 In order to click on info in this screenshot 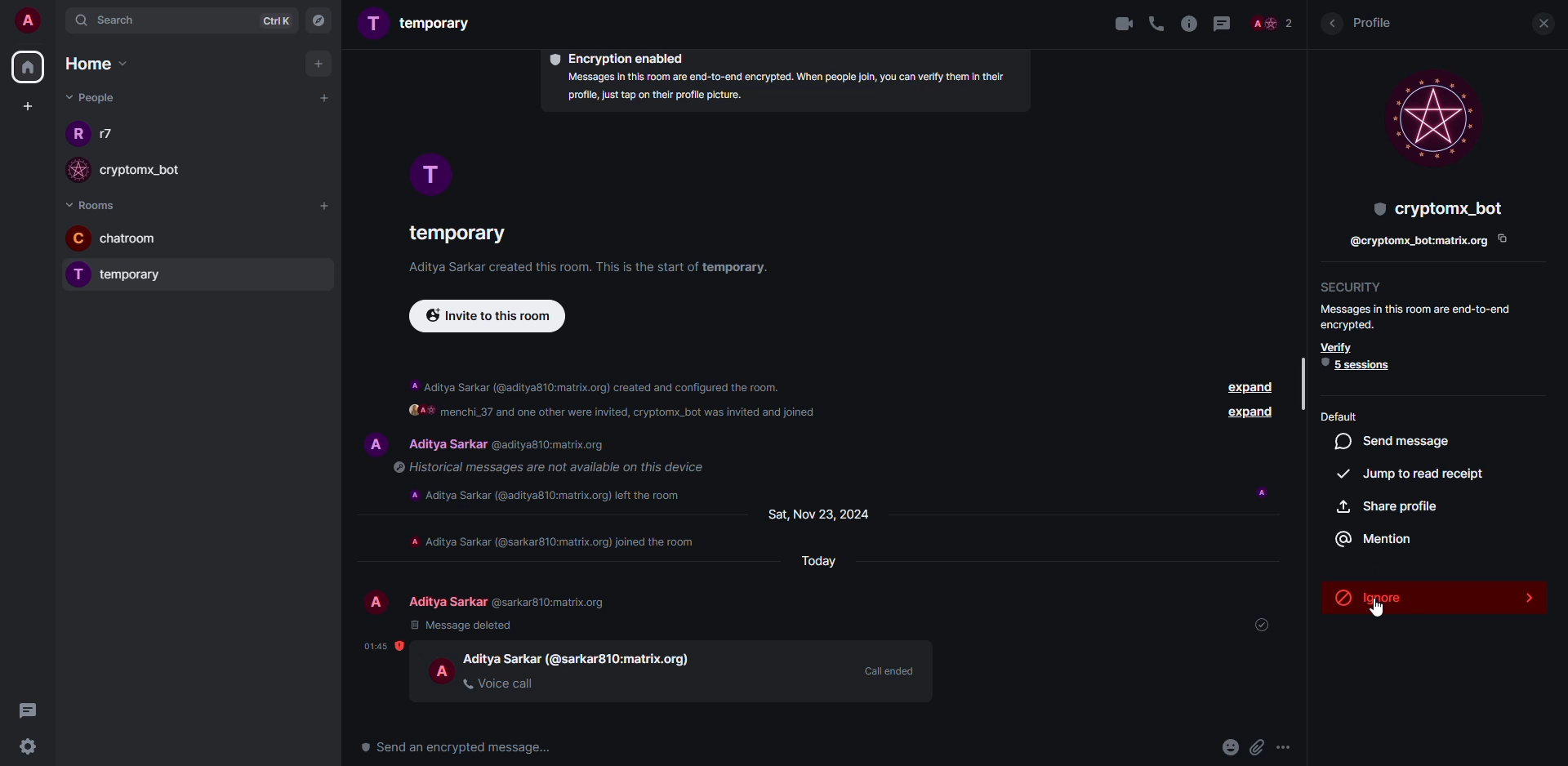, I will do `click(782, 89)`.